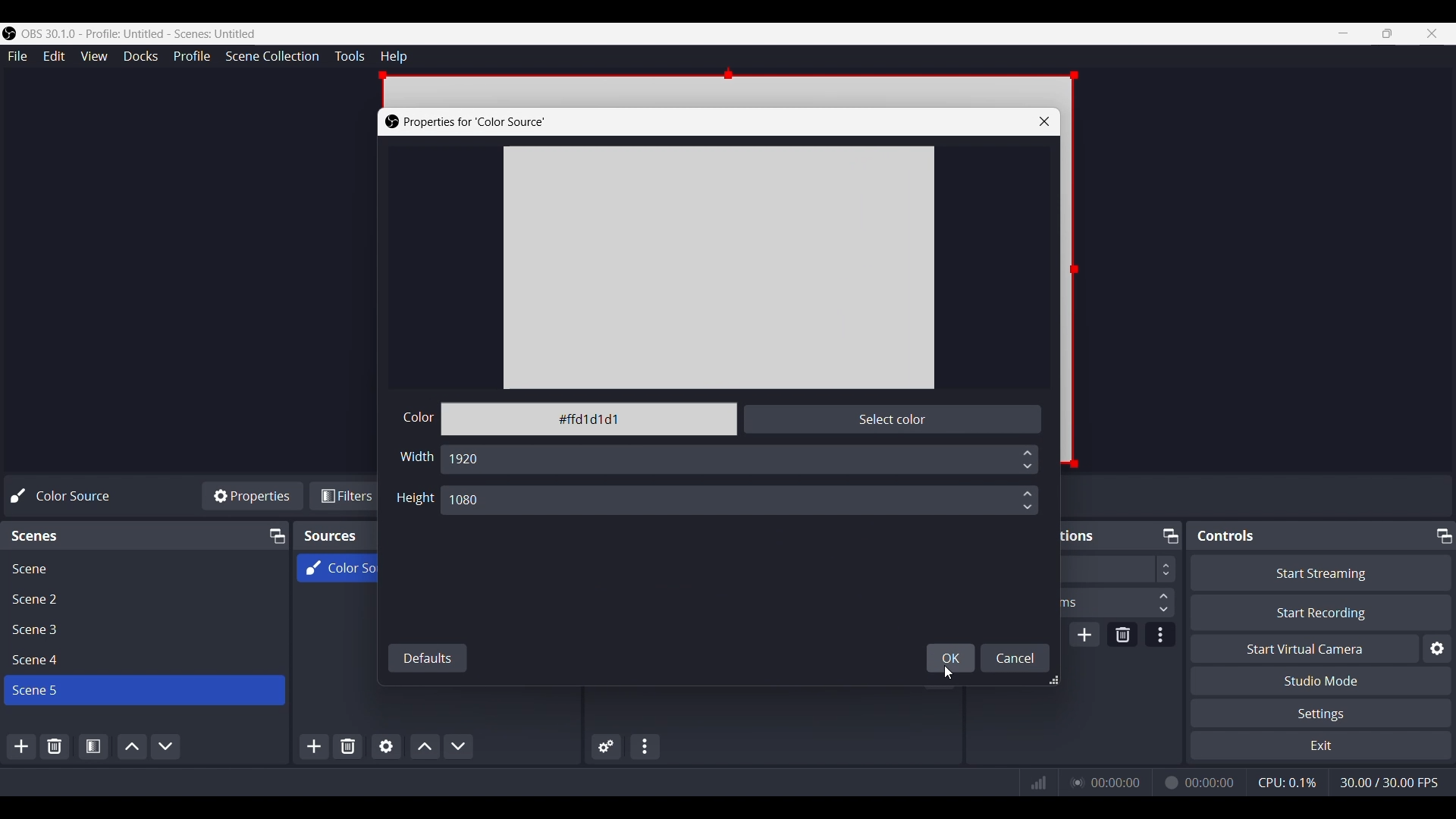  I want to click on Start Virtual Camera, so click(1301, 648).